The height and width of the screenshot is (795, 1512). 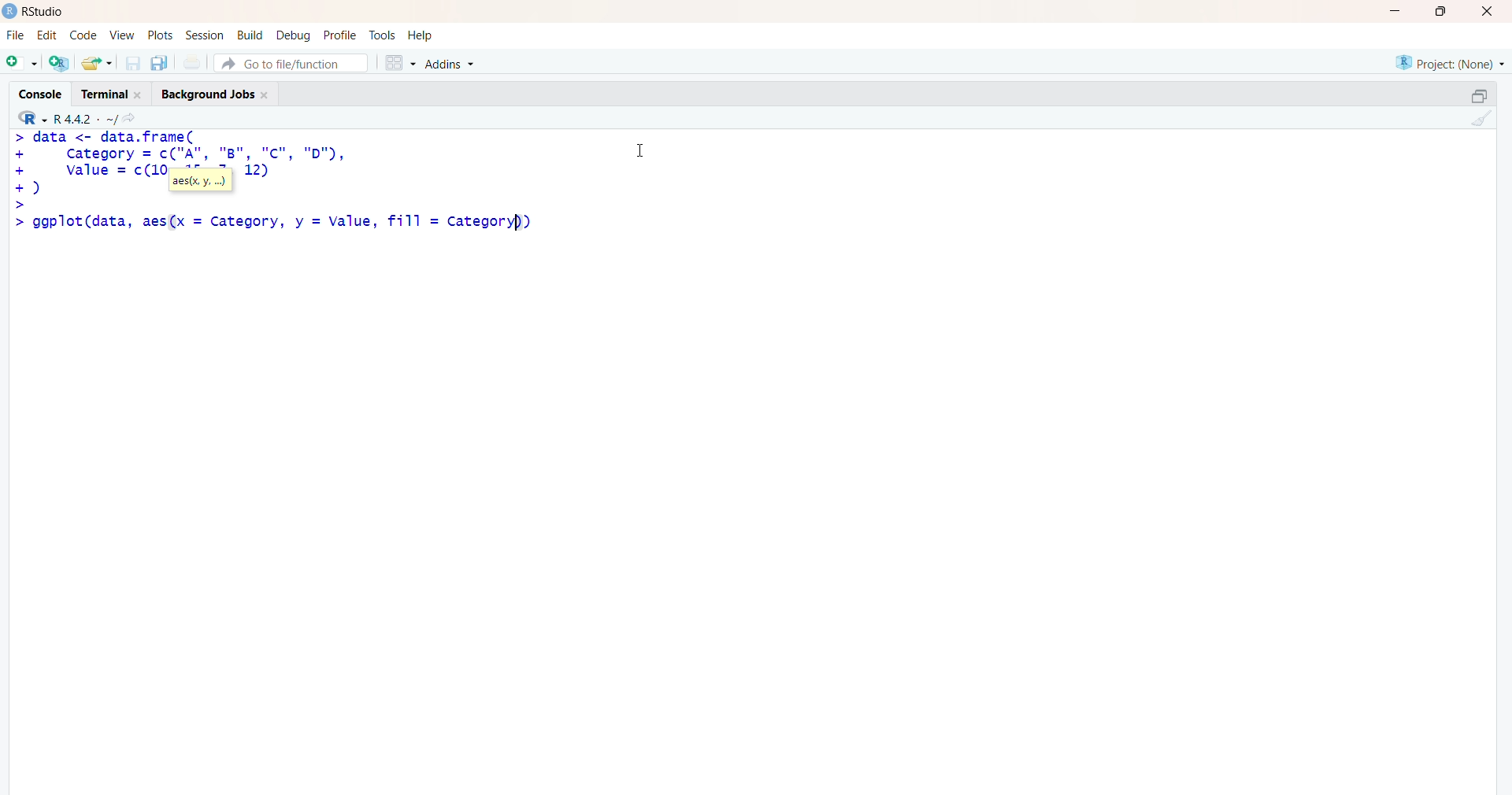 What do you see at coordinates (399, 62) in the screenshot?
I see `grid view` at bounding box center [399, 62].